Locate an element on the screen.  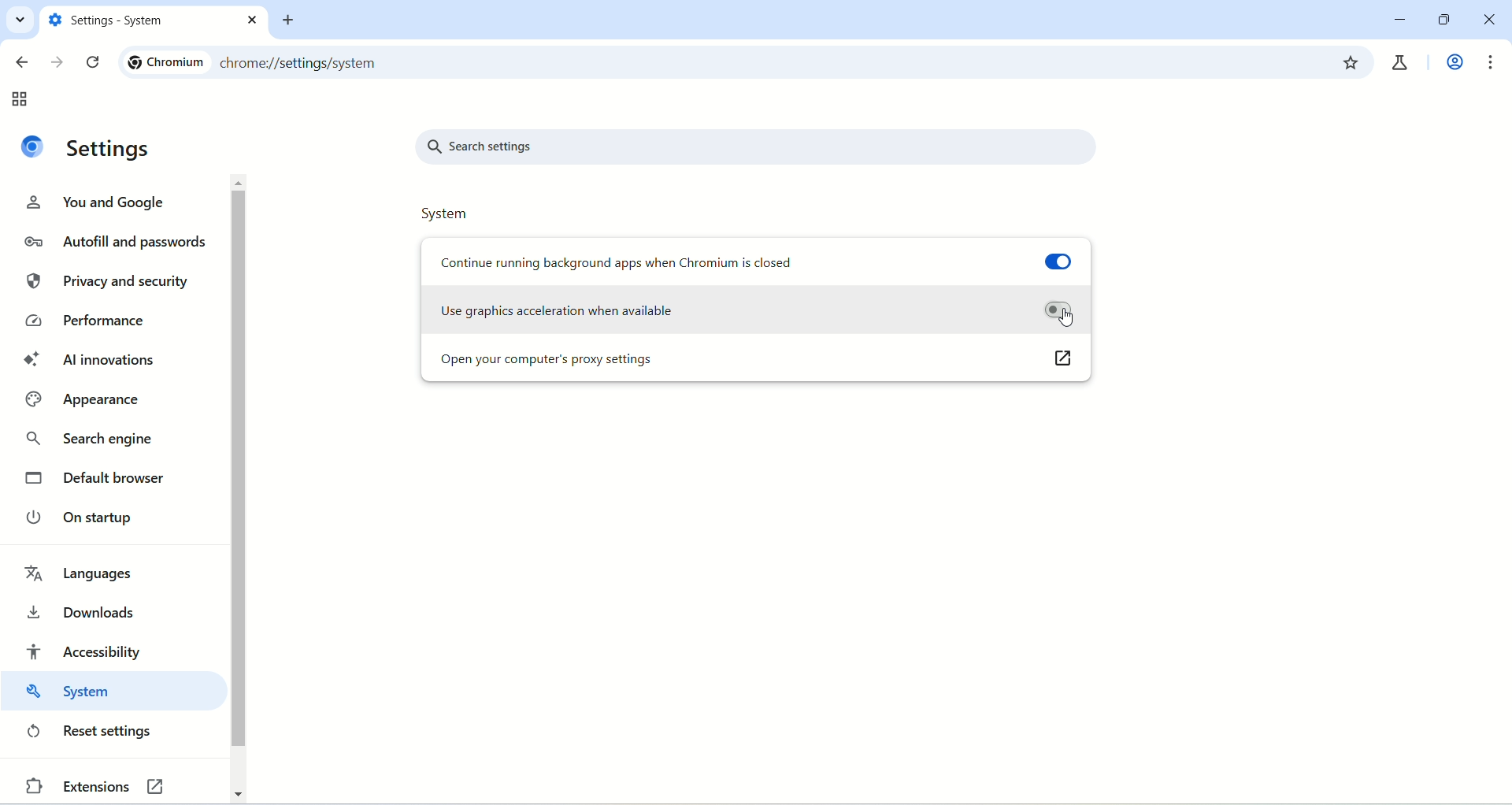
open your computer's proxy settings is located at coordinates (724, 361).